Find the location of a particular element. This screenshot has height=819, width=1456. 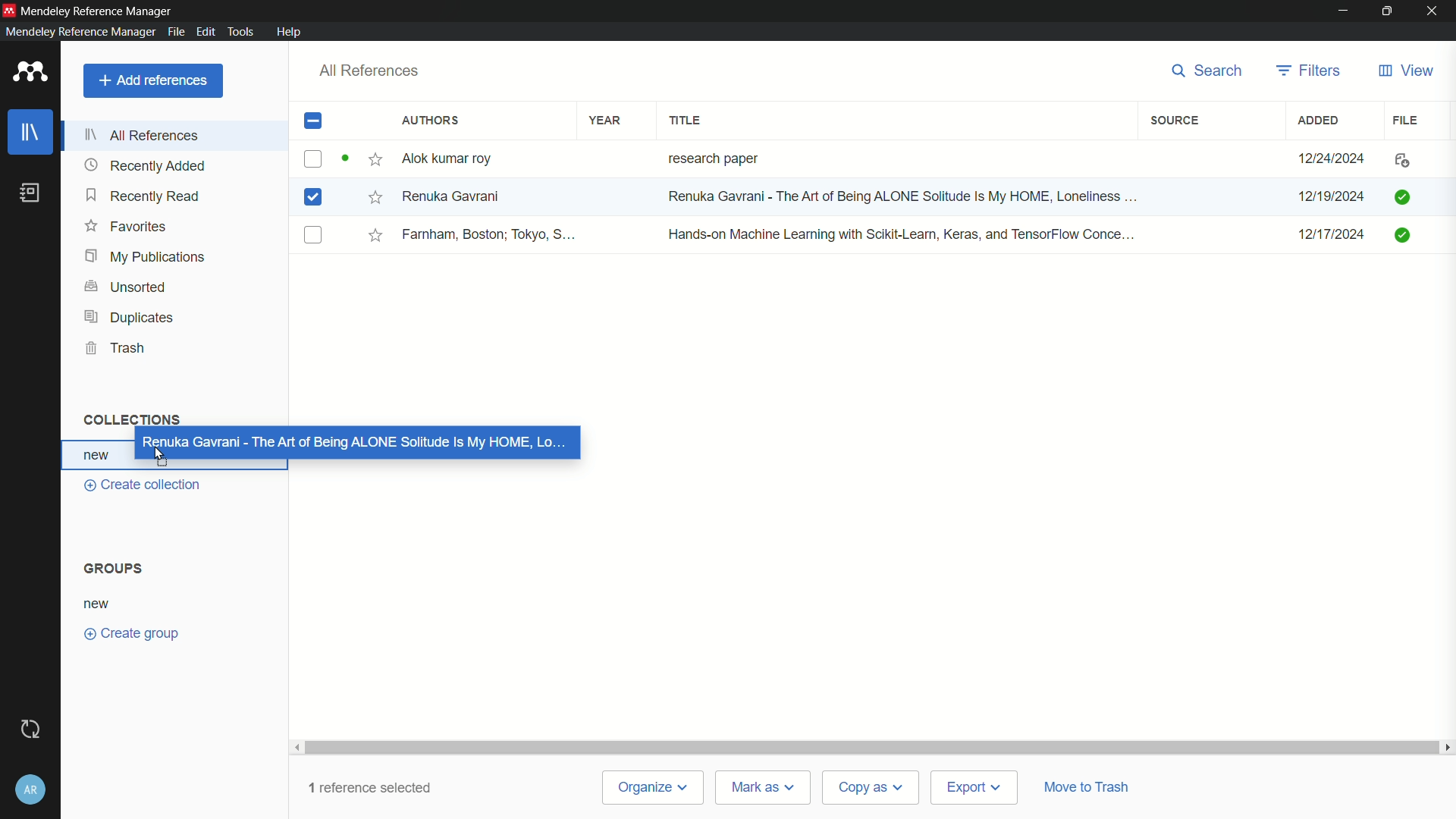

duplicates is located at coordinates (128, 317).